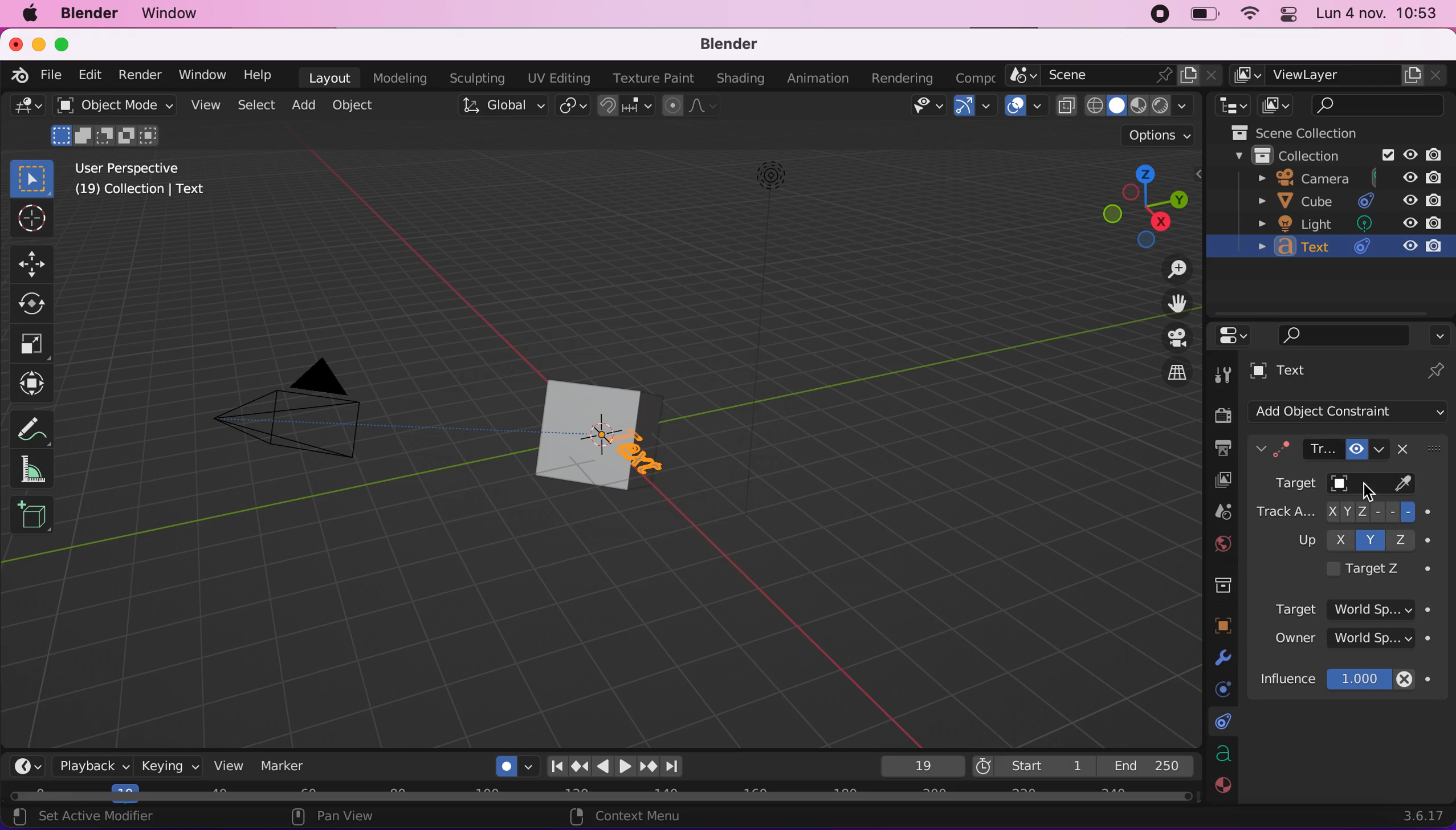 The height and width of the screenshot is (830, 1456). Describe the element at coordinates (646, 455) in the screenshot. I see `text selected` at that location.